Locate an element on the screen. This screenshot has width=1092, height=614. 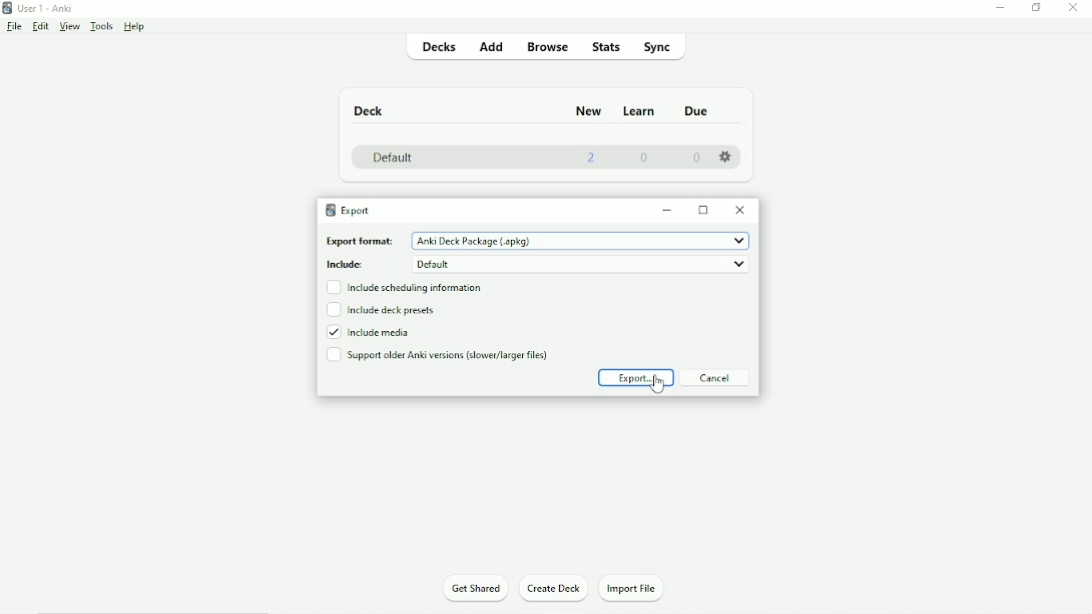
Close is located at coordinates (1072, 9).